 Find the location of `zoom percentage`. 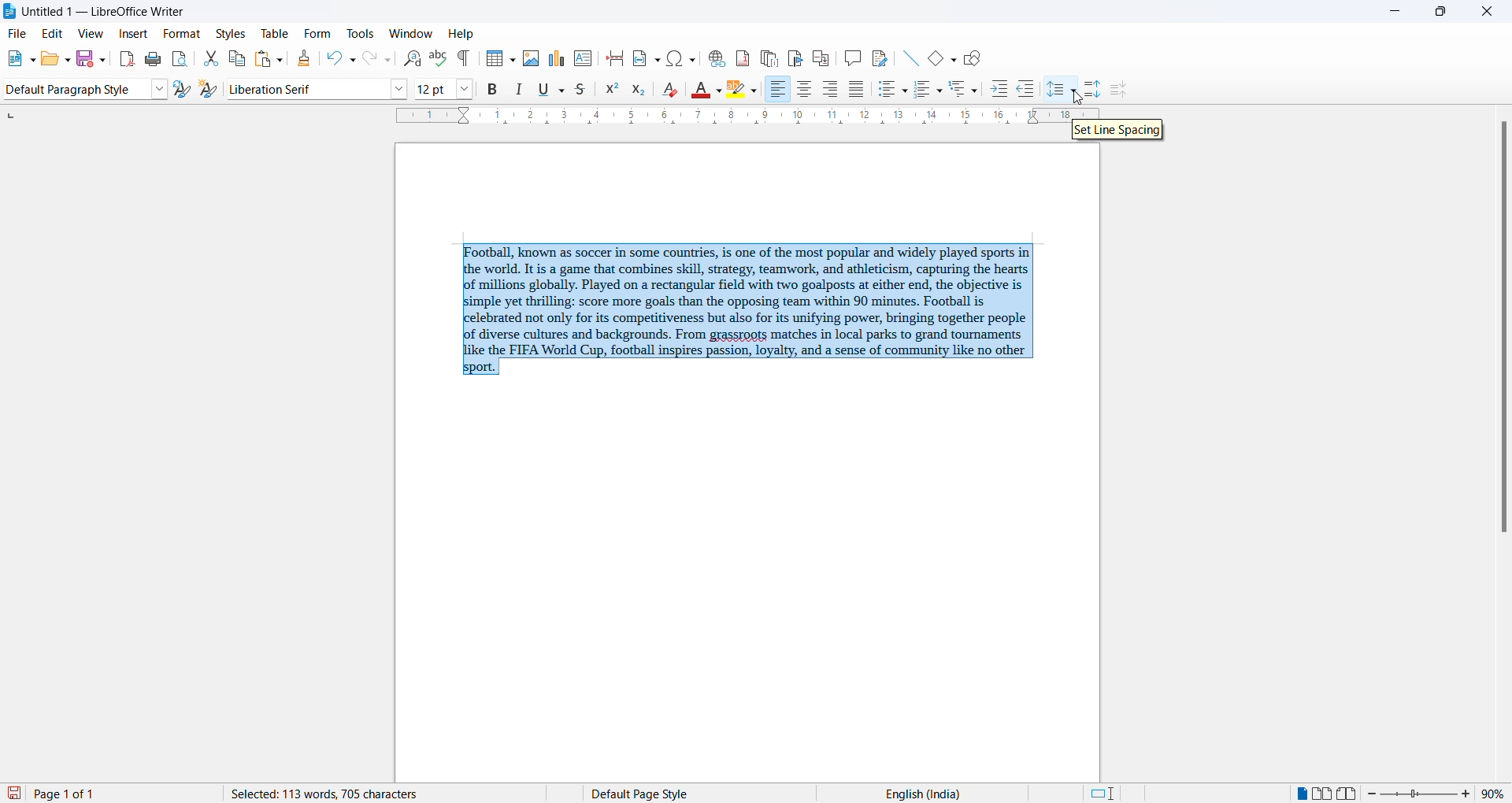

zoom percentage is located at coordinates (1495, 793).